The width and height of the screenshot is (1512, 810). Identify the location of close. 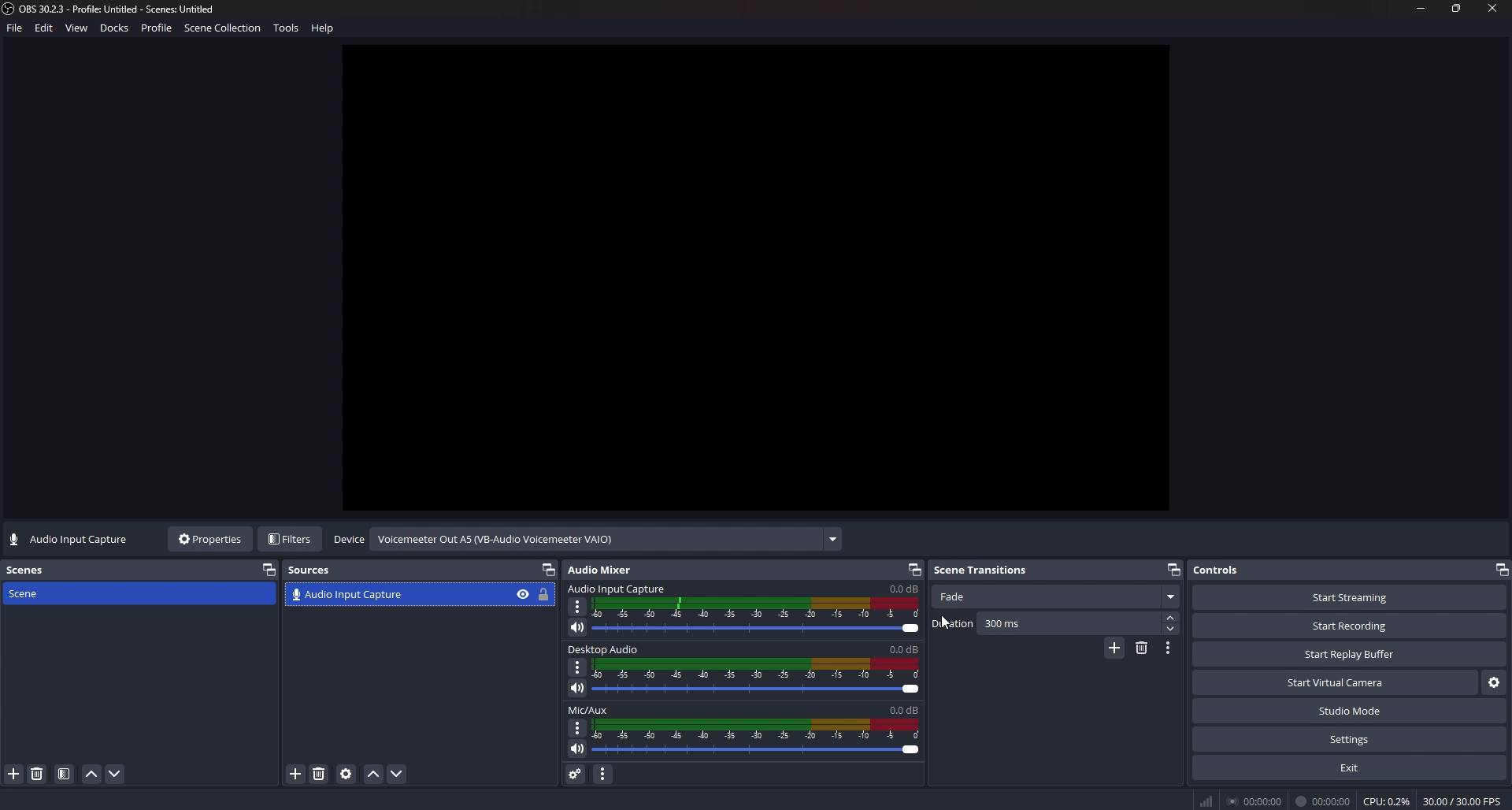
(1493, 10).